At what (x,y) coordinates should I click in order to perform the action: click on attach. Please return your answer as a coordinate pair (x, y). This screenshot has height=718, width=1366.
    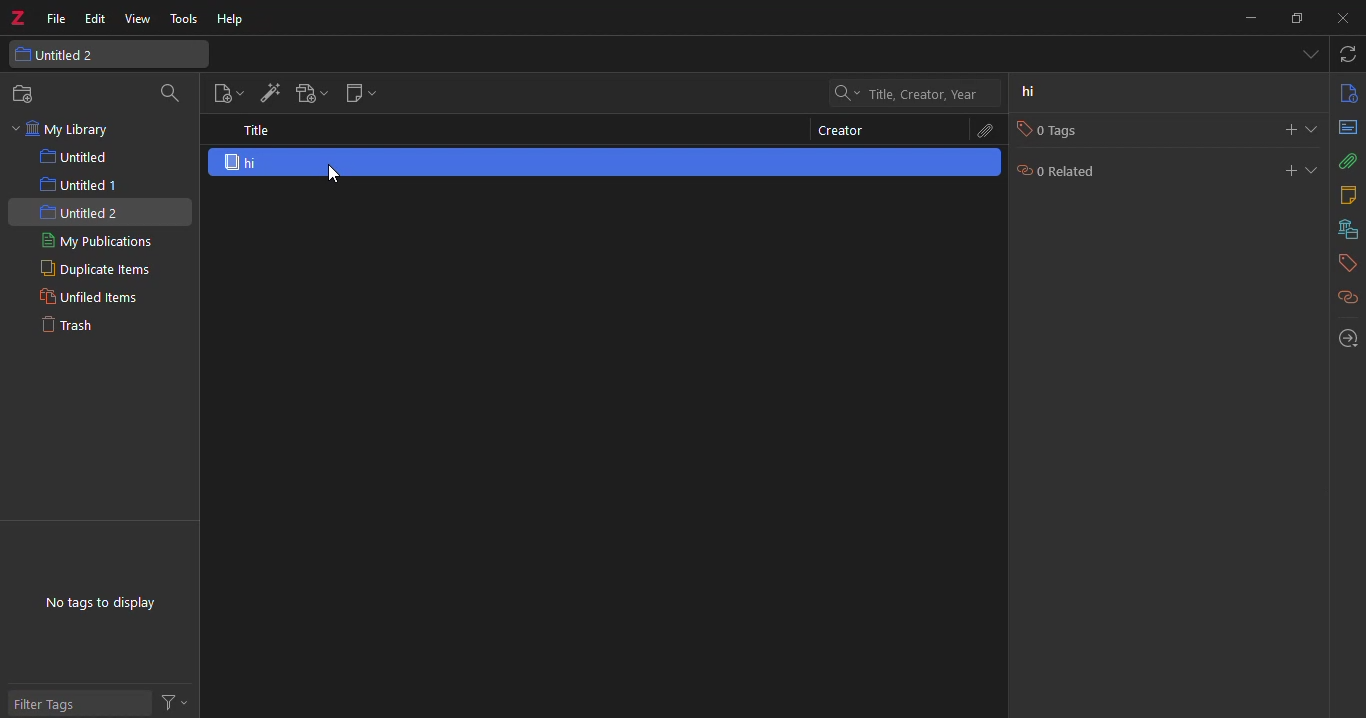
    Looking at the image, I should click on (1347, 163).